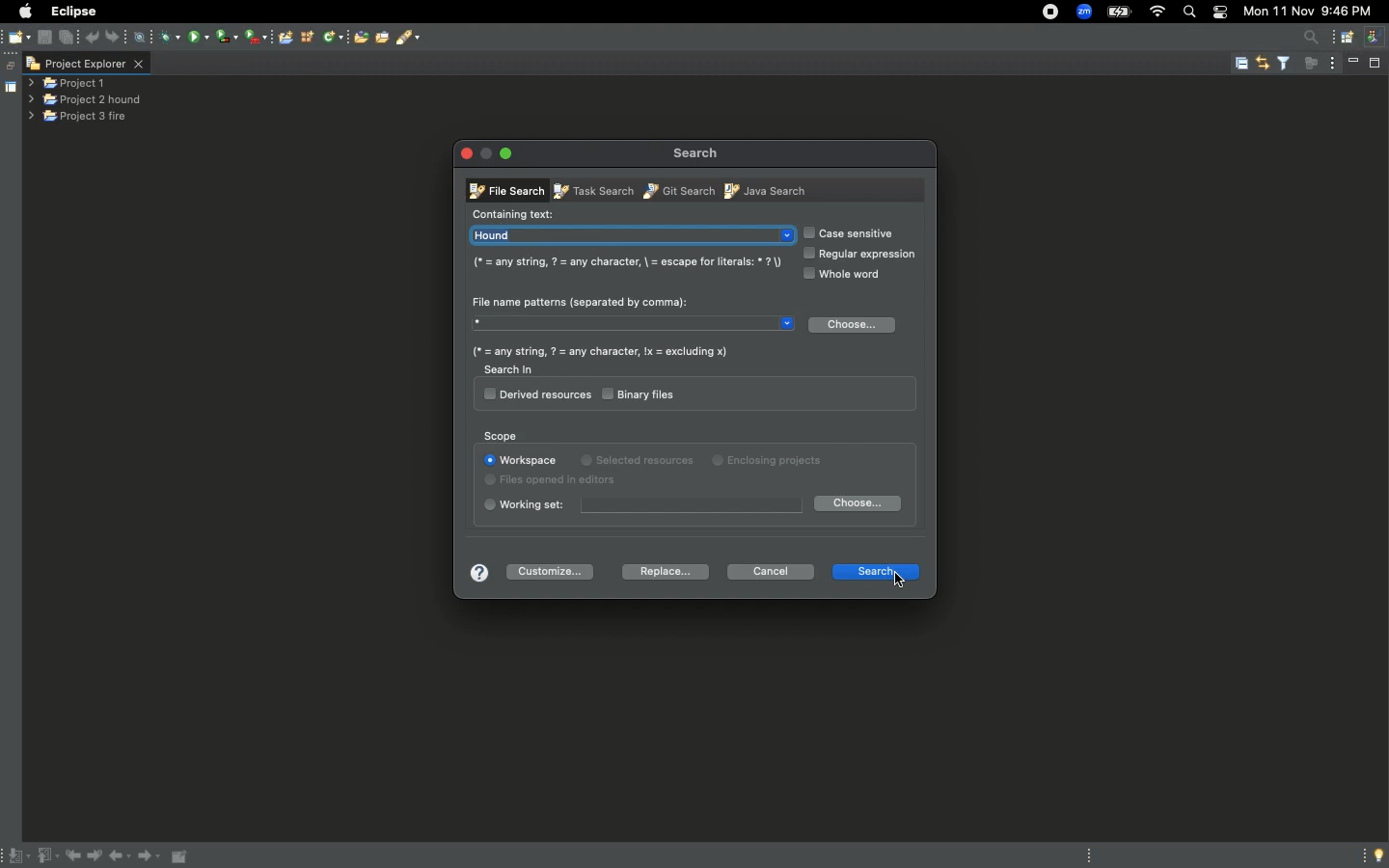 This screenshot has width=1389, height=868. Describe the element at coordinates (359, 38) in the screenshot. I see `open type` at that location.